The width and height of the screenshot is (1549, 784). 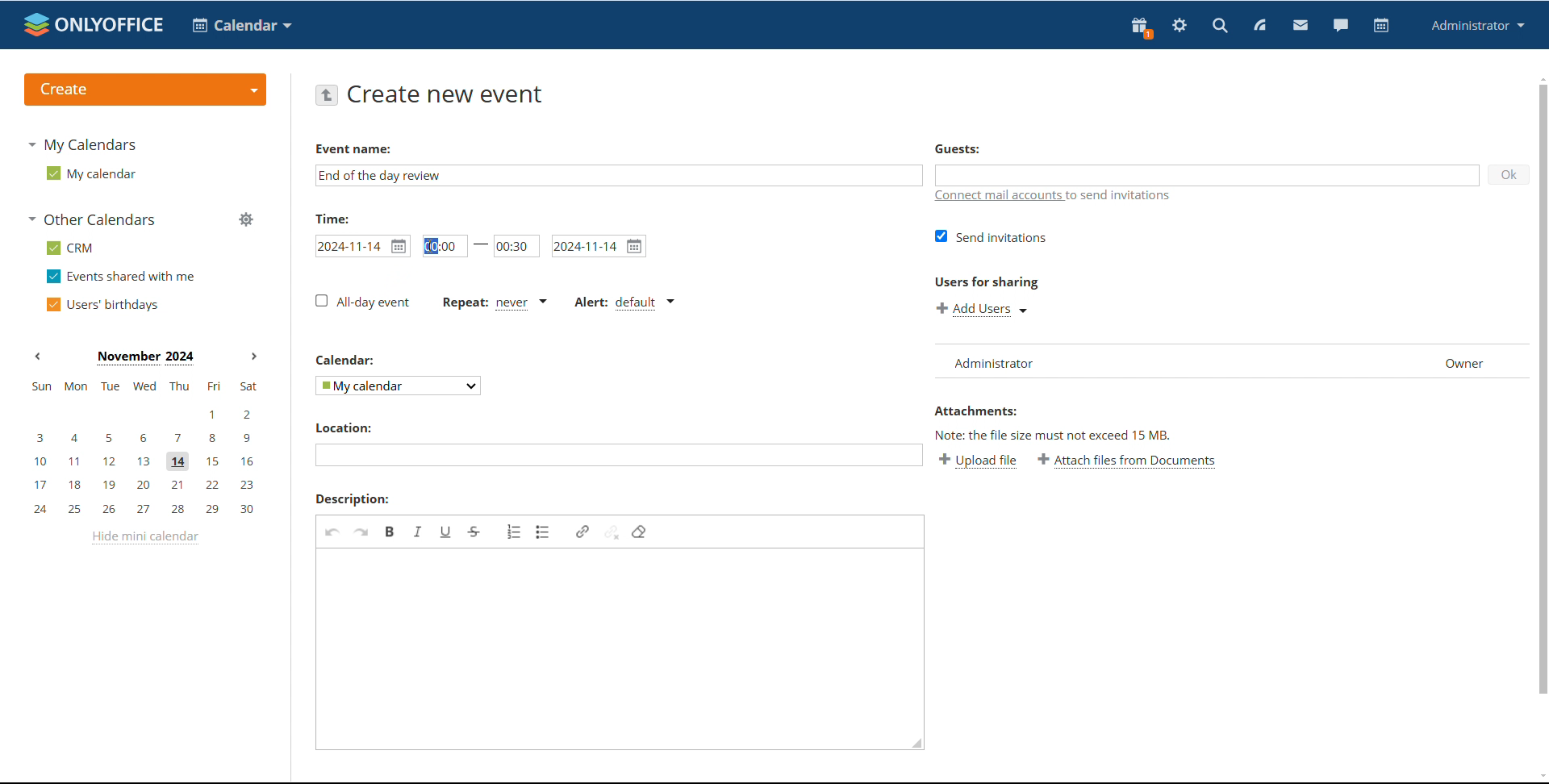 What do you see at coordinates (609, 644) in the screenshot?
I see `add description` at bounding box center [609, 644].